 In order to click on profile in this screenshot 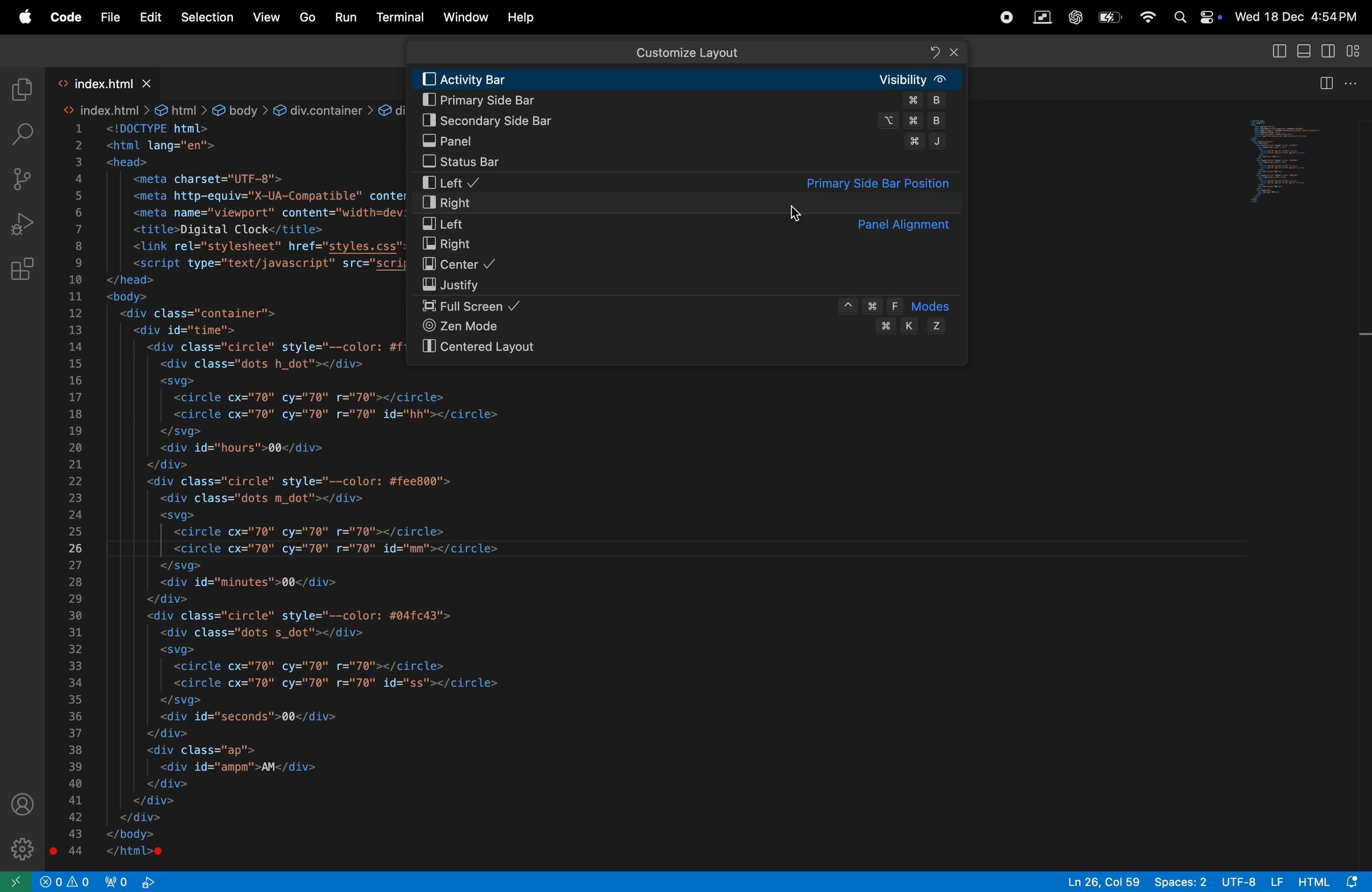, I will do `click(26, 806)`.